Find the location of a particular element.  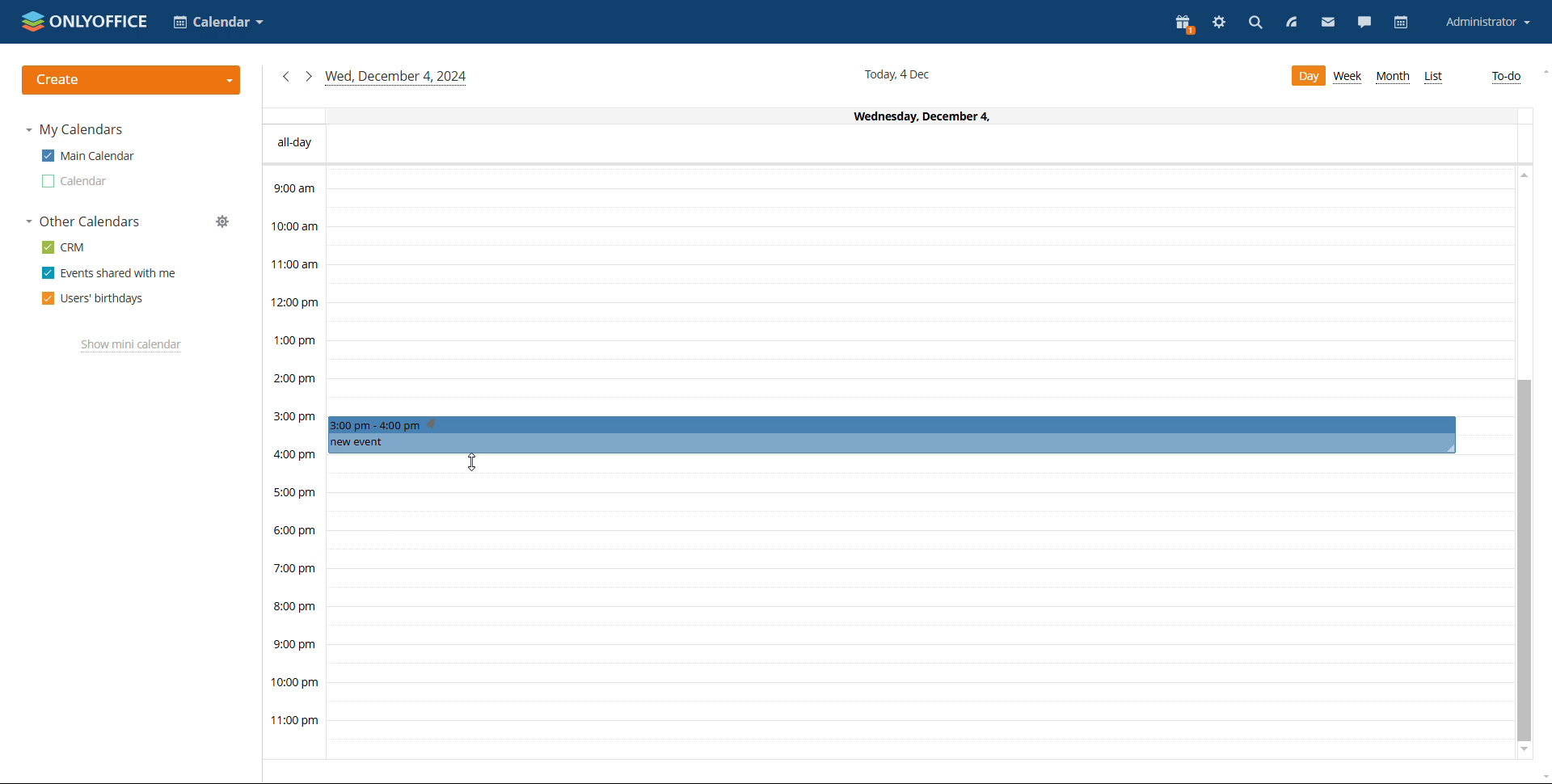

manage is located at coordinates (222, 221).